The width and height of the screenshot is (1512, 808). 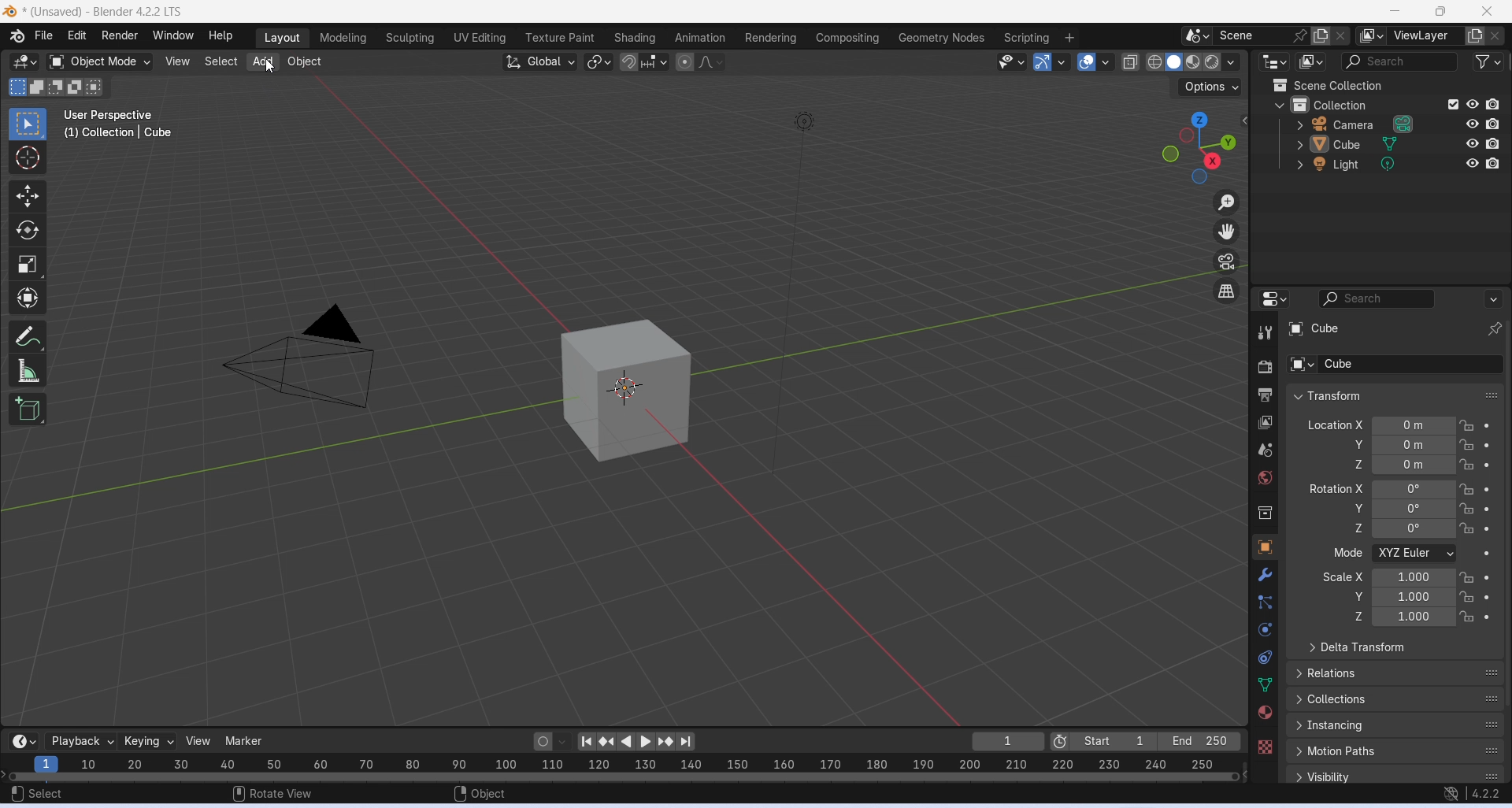 I want to click on use mouse scroll to "rotate view", so click(x=274, y=792).